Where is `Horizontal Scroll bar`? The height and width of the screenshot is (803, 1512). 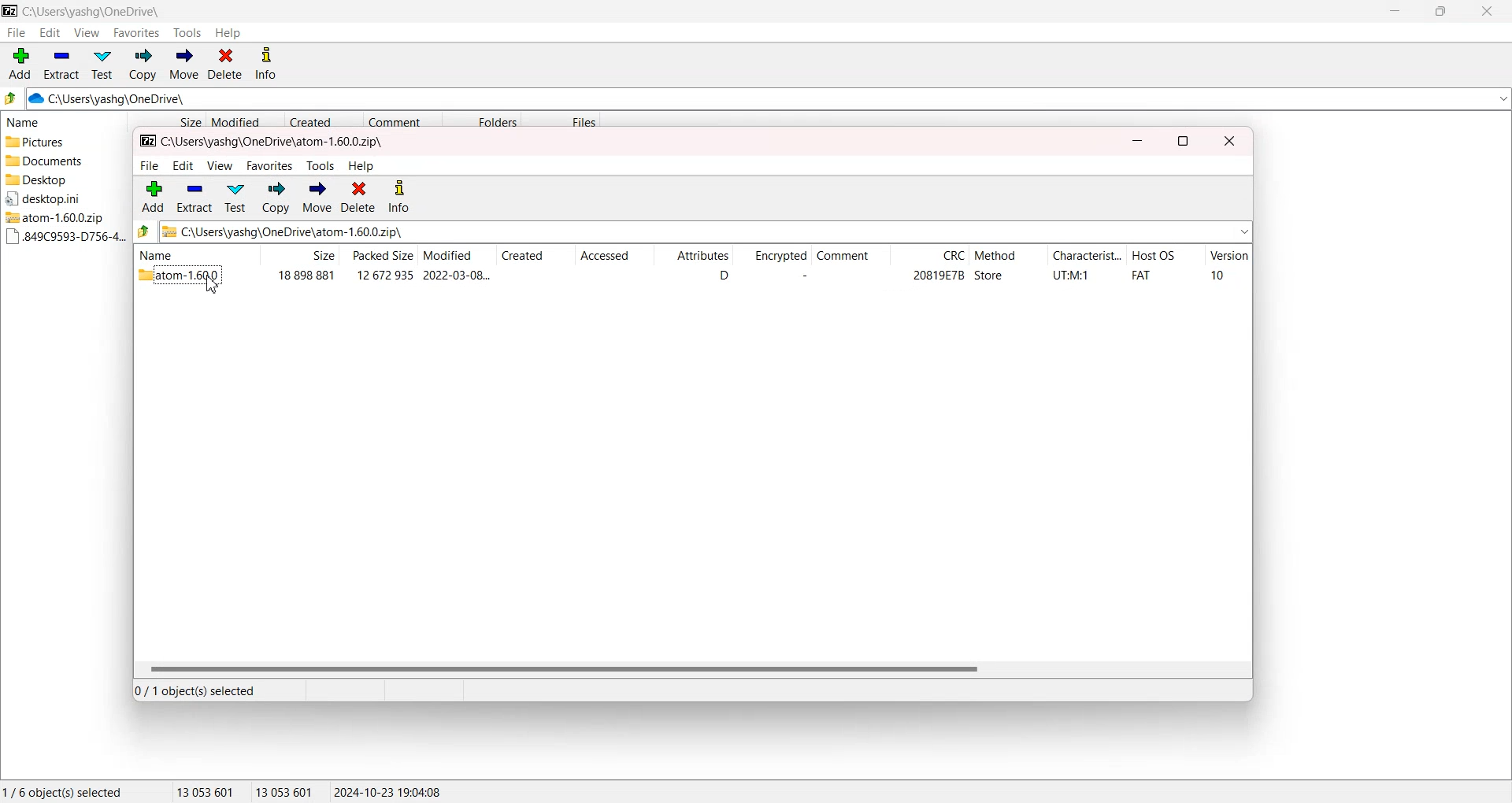 Horizontal Scroll bar is located at coordinates (691, 668).